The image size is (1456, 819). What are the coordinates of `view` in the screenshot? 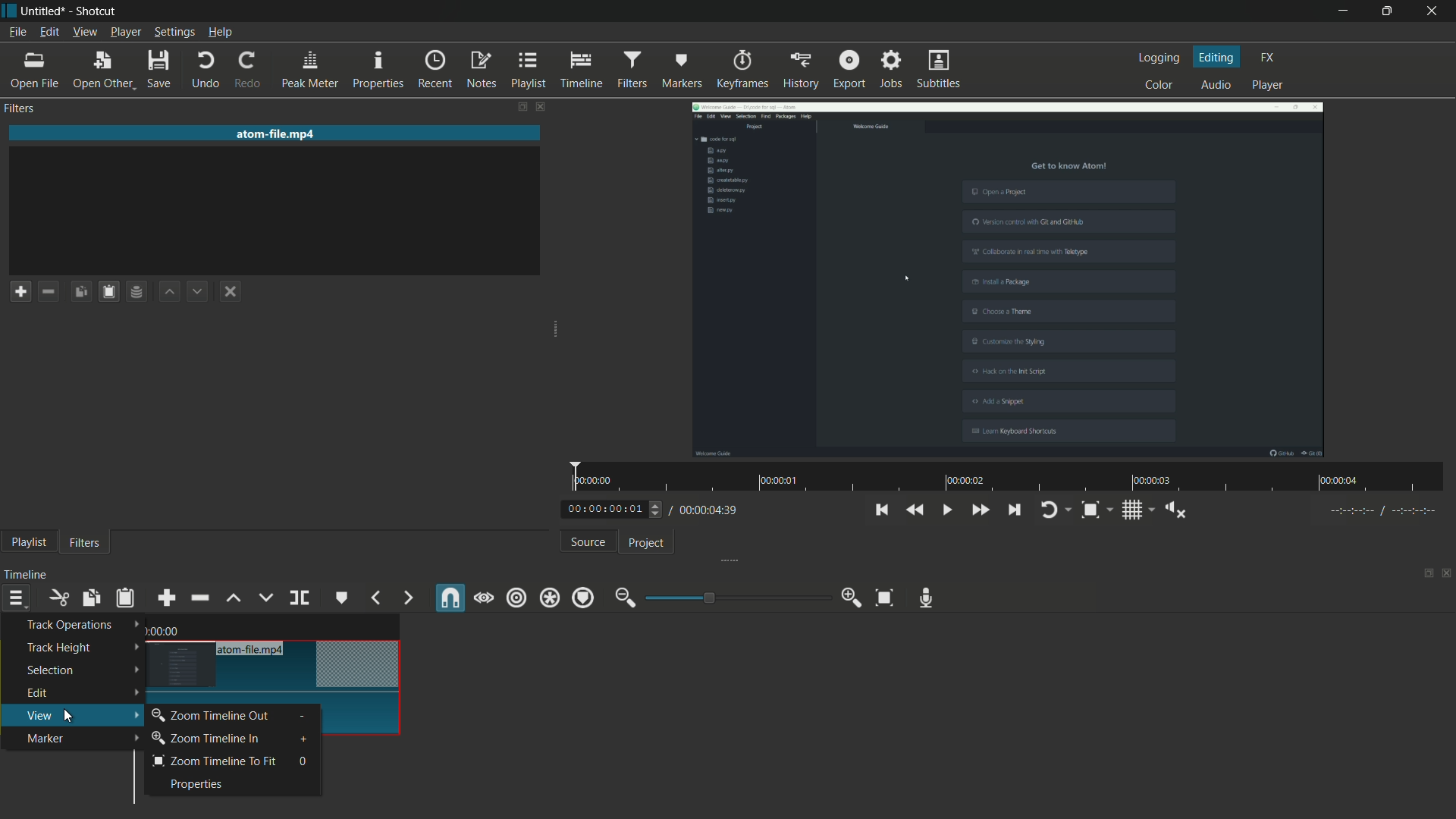 It's located at (80, 714).